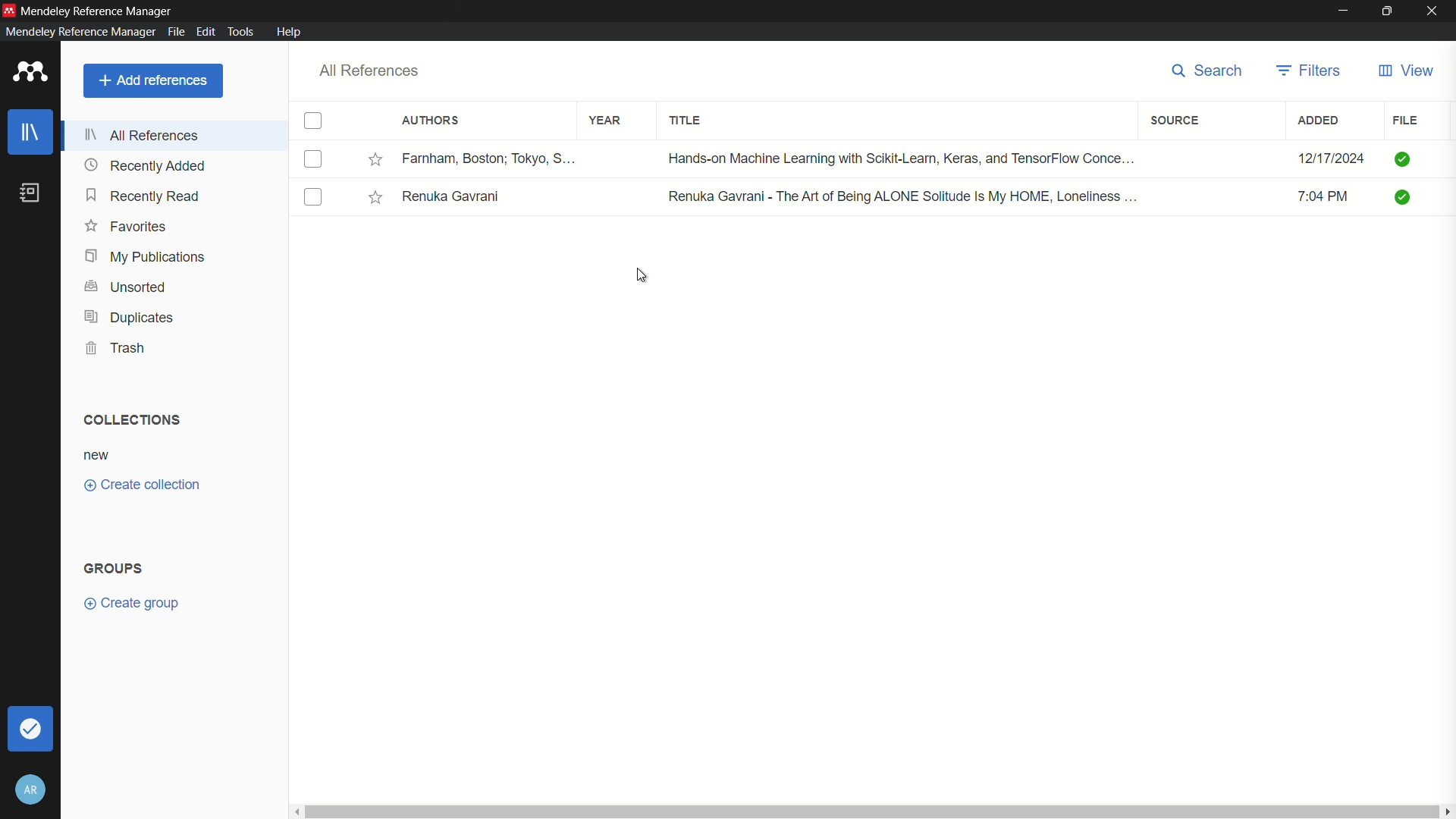 The image size is (1456, 819). I want to click on book-1, so click(312, 160).